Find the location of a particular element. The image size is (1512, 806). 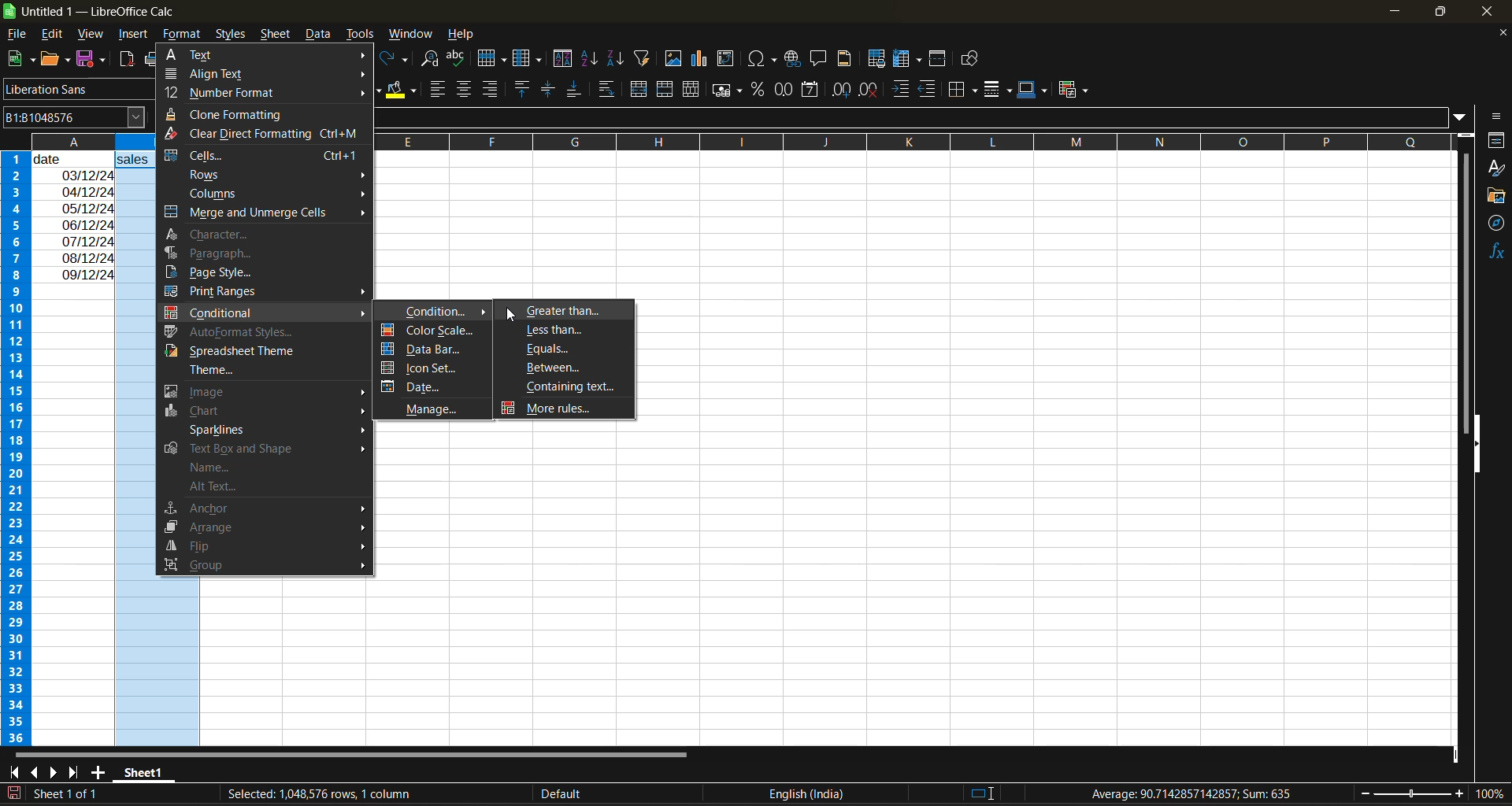

insert comment is located at coordinates (820, 59).